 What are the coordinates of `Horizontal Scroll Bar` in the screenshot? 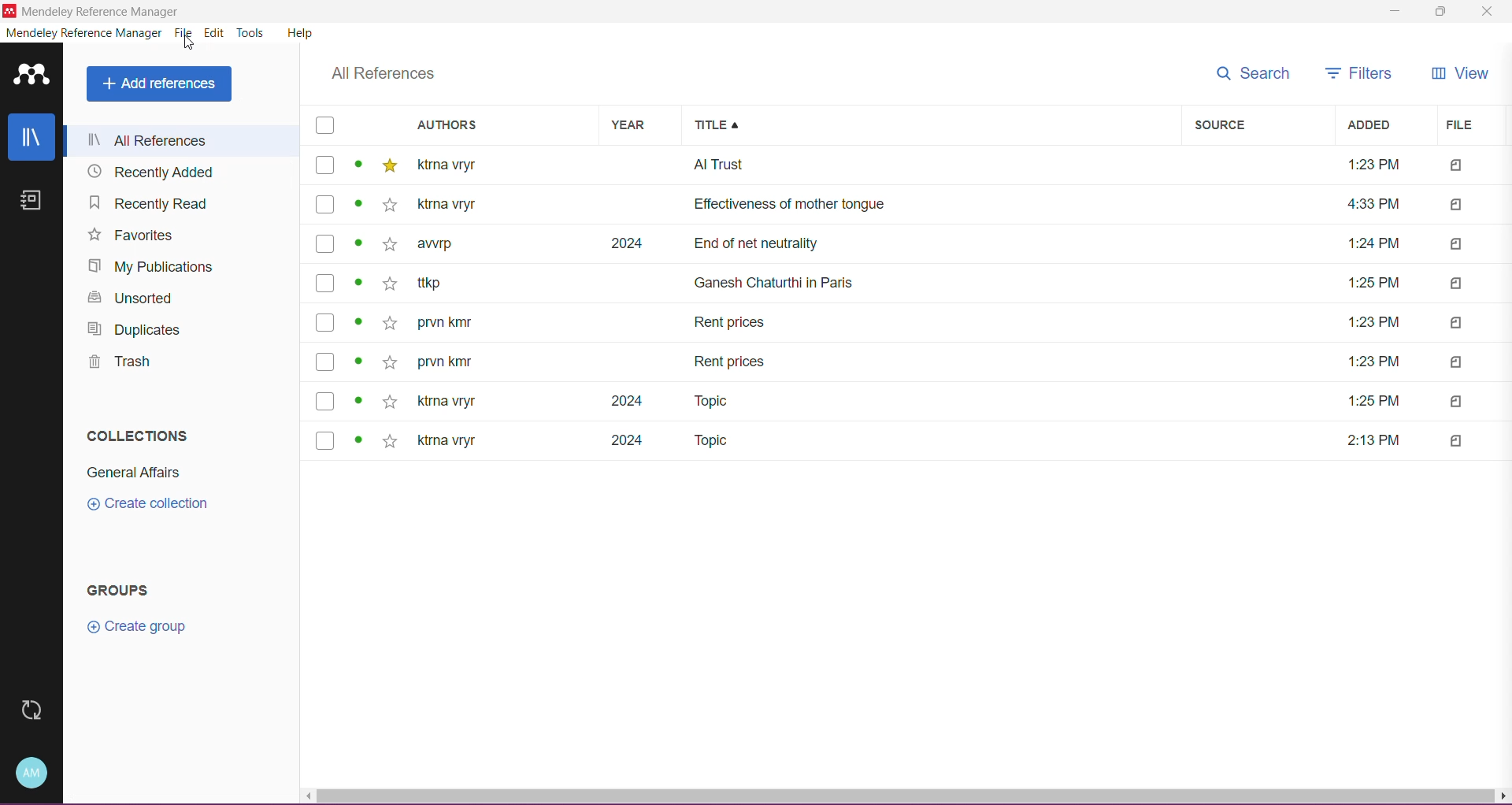 It's located at (906, 796).